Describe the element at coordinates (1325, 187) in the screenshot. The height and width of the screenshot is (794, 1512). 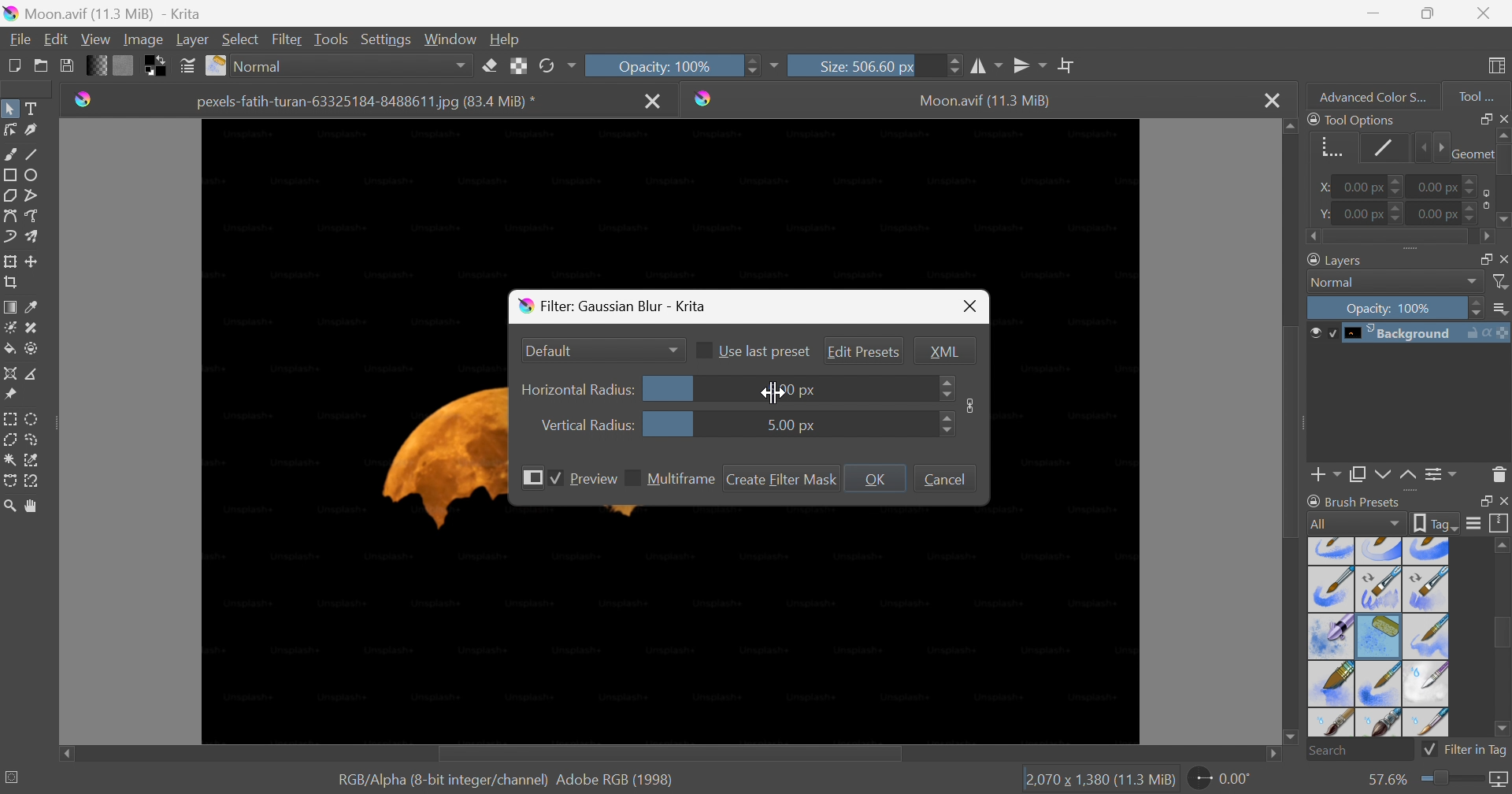
I see `x:` at that location.